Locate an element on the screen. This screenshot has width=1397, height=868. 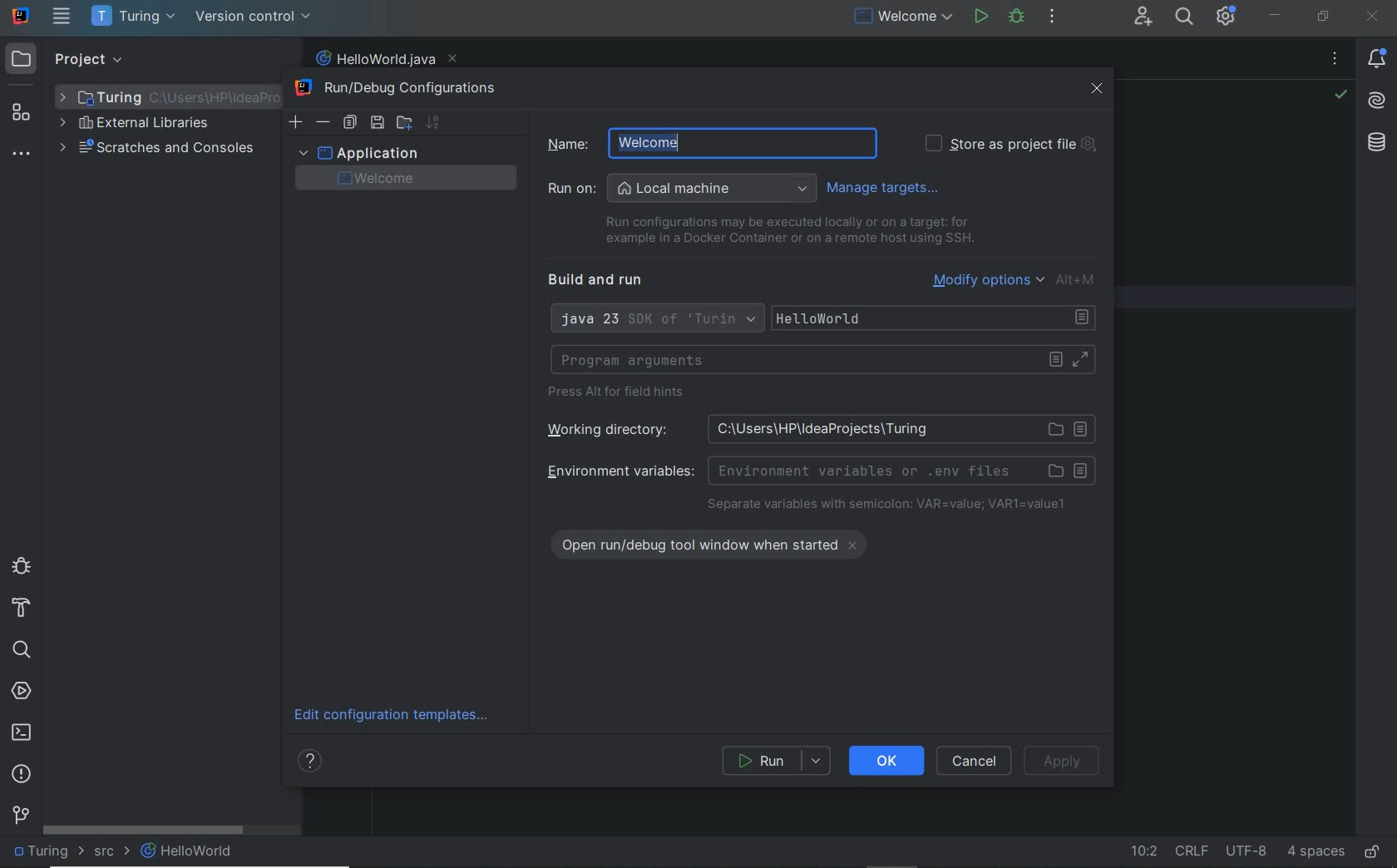
more actions is located at coordinates (1052, 17).